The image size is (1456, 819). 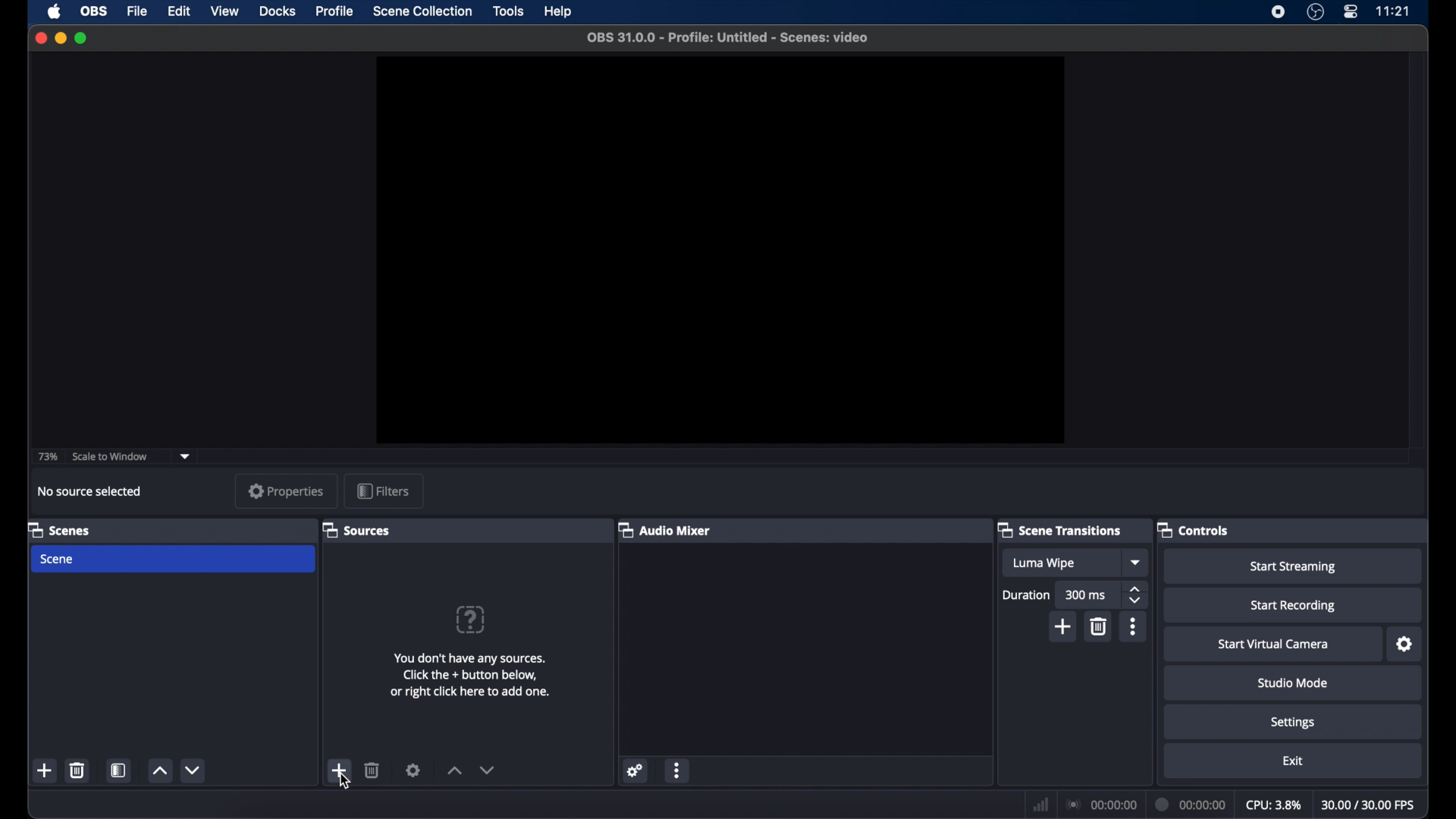 I want to click on delete, so click(x=1100, y=626).